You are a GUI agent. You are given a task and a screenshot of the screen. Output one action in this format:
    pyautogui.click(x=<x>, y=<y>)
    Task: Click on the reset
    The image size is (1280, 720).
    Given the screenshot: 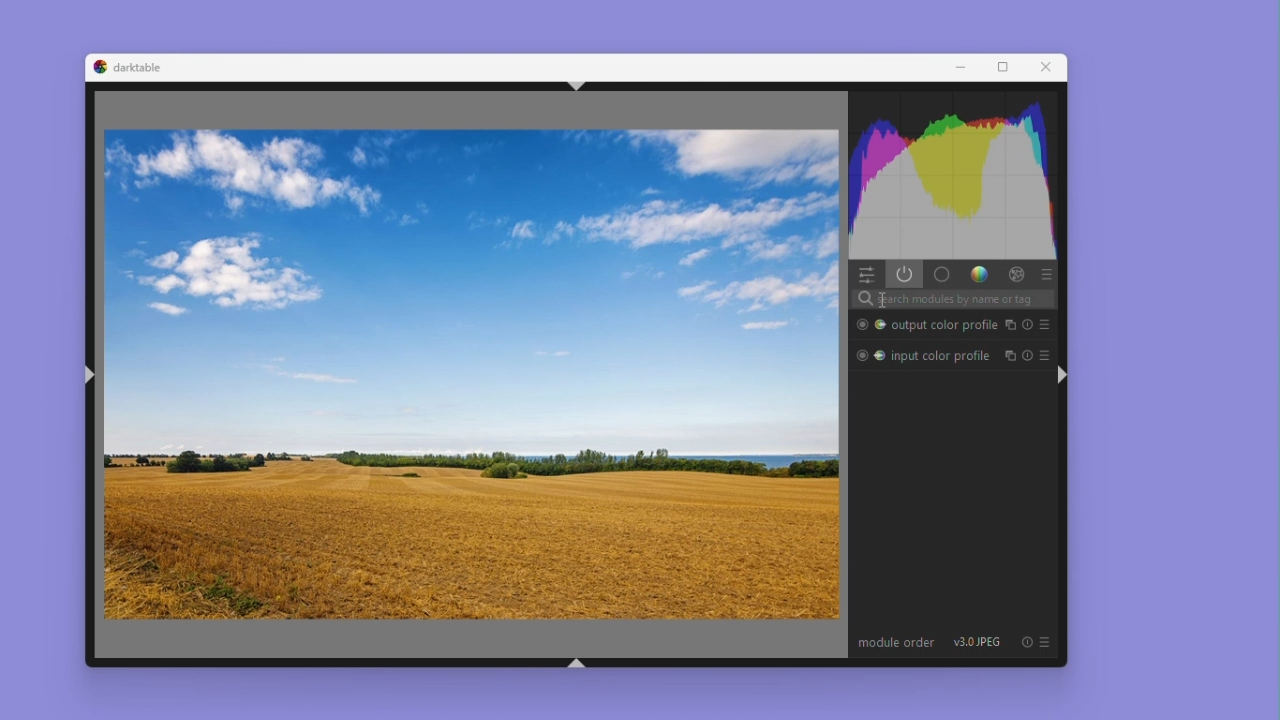 What is the action you would take?
    pyautogui.click(x=1027, y=642)
    